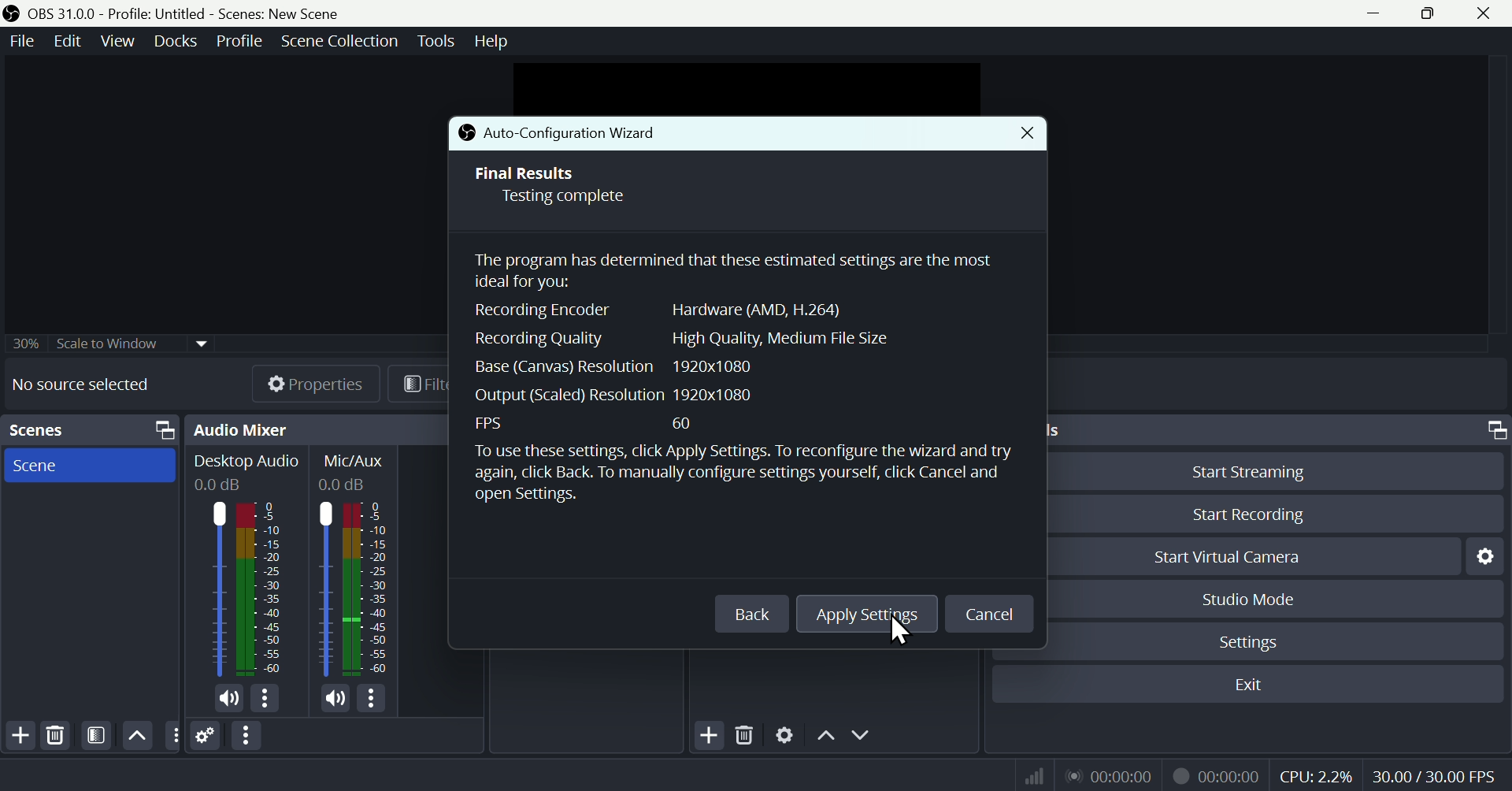 This screenshot has height=791, width=1512. Describe the element at coordinates (241, 429) in the screenshot. I see `Audio mixer` at that location.